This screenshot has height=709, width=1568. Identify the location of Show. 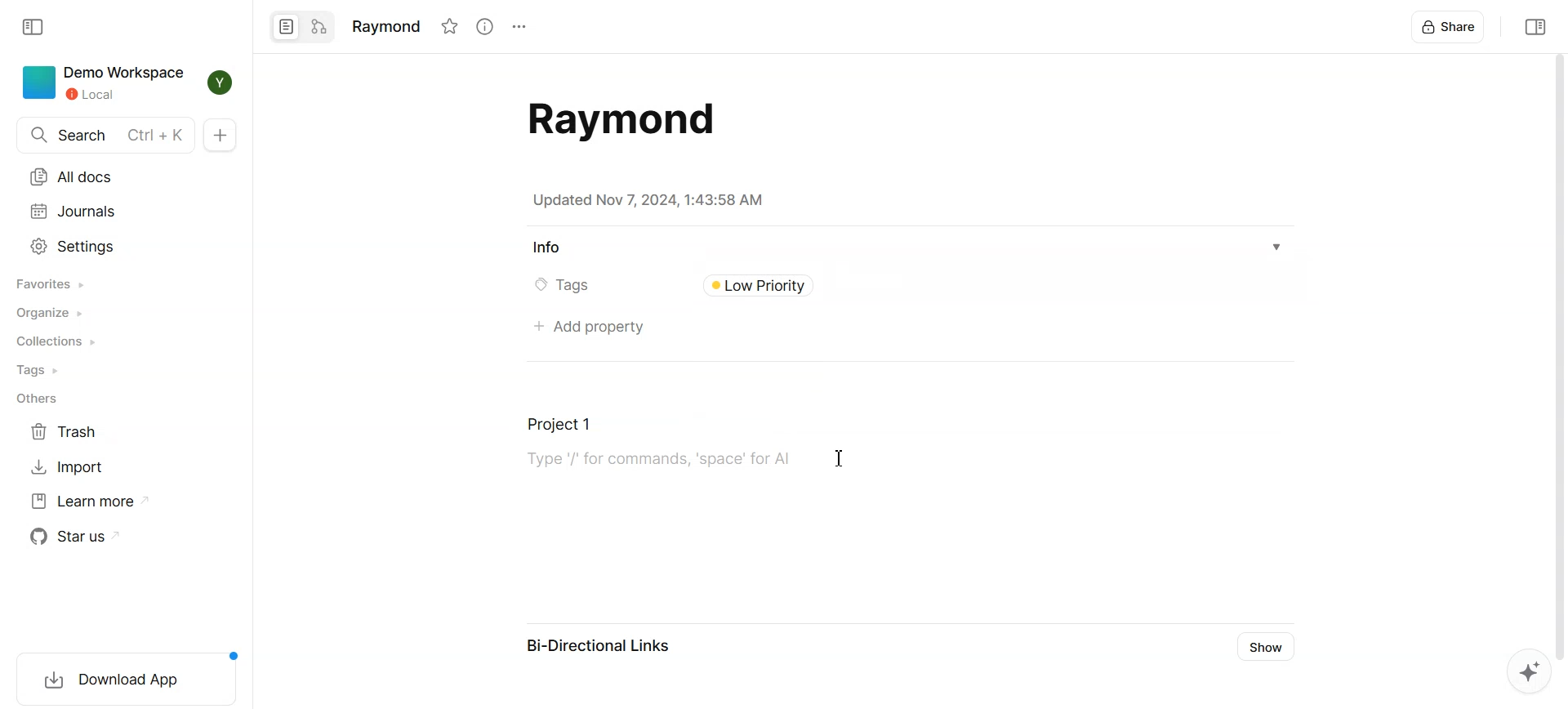
(1269, 647).